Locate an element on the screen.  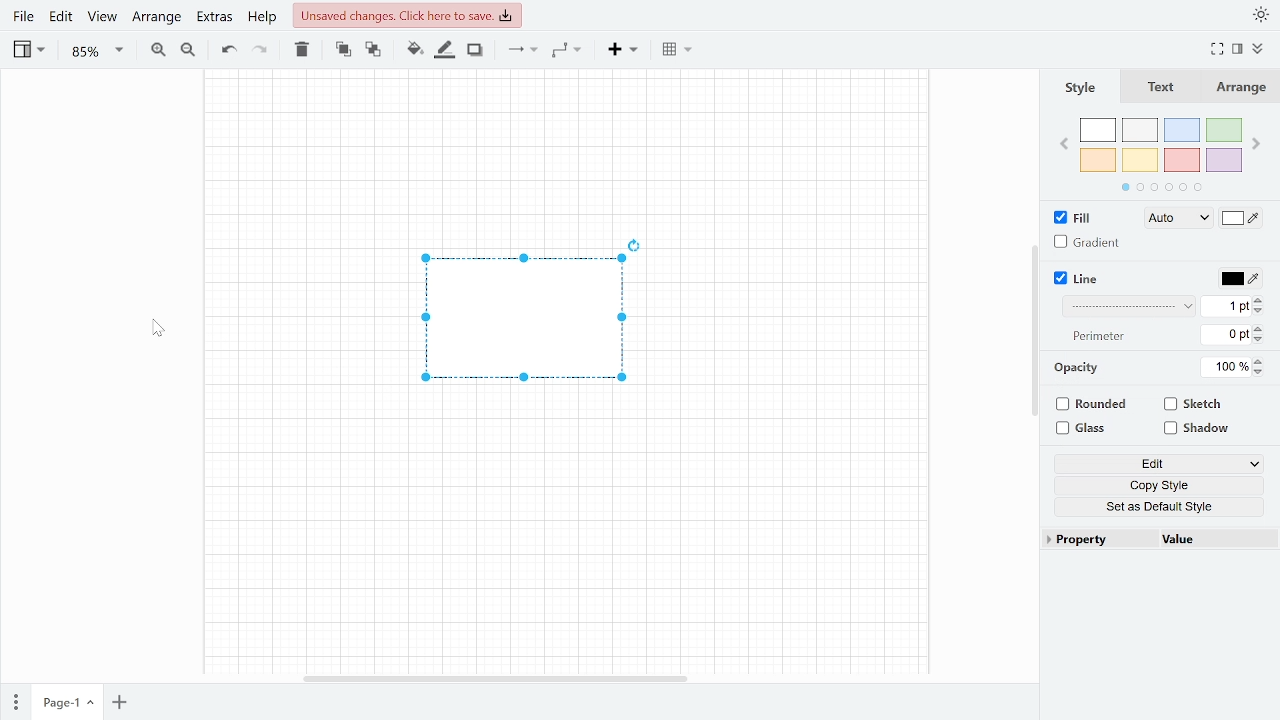
Fill style is located at coordinates (1241, 218).